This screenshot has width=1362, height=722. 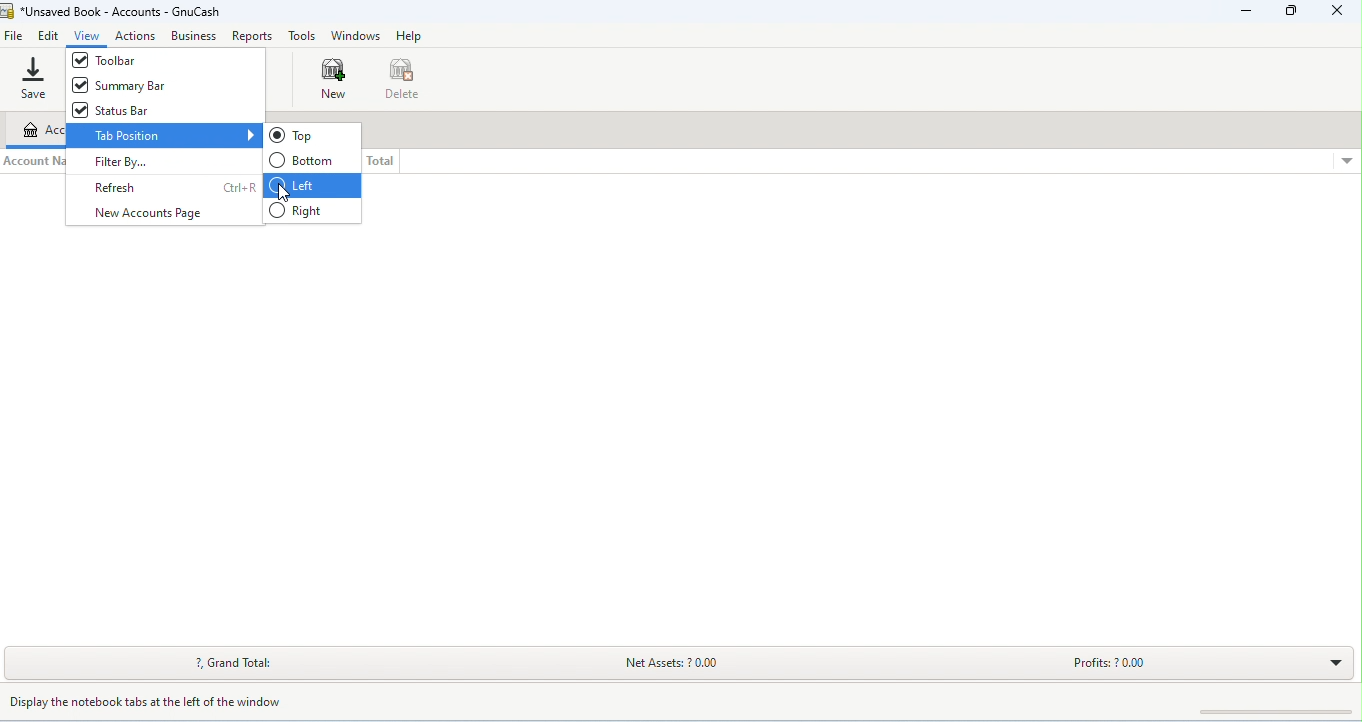 I want to click on delete, so click(x=405, y=77).